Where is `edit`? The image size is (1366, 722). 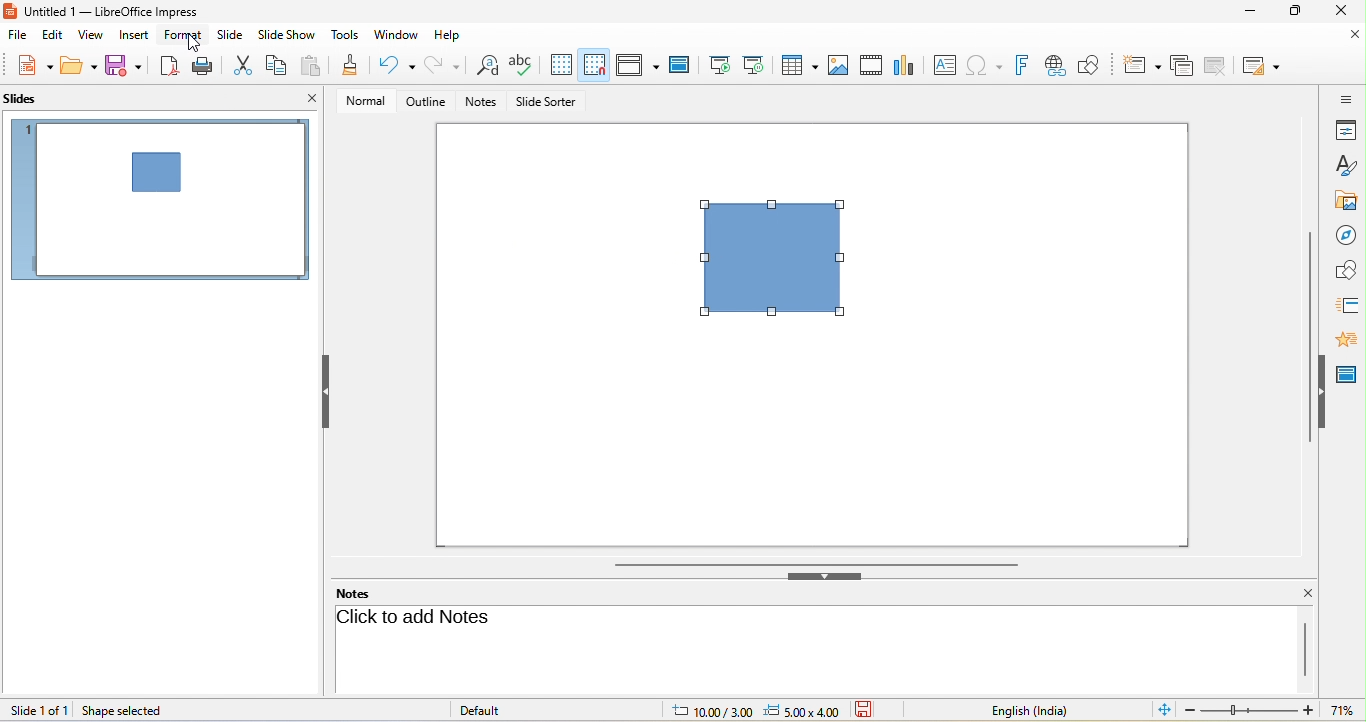
edit is located at coordinates (50, 38).